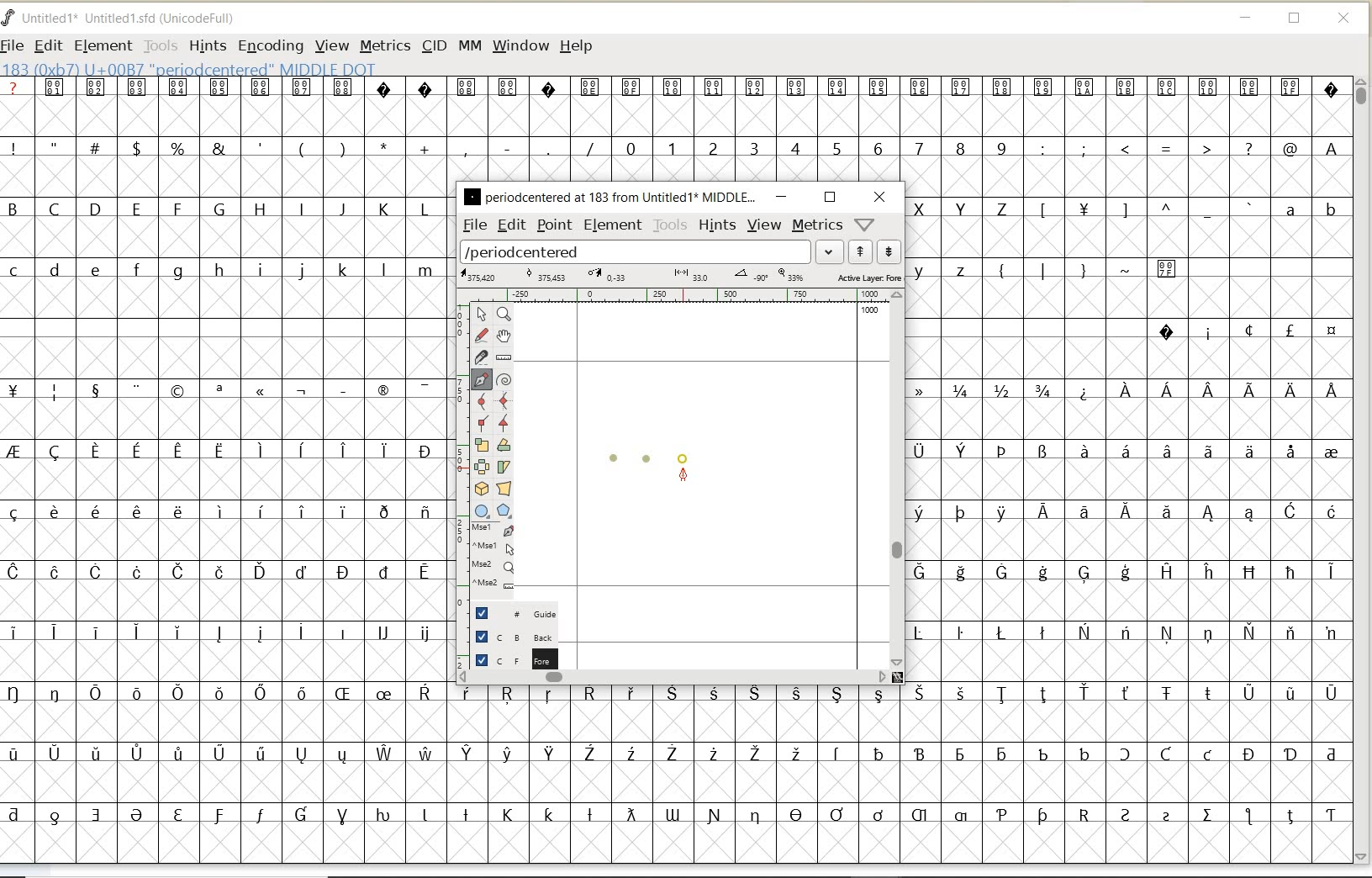  Describe the element at coordinates (493, 557) in the screenshot. I see `cursor events on the opened outline window` at that location.